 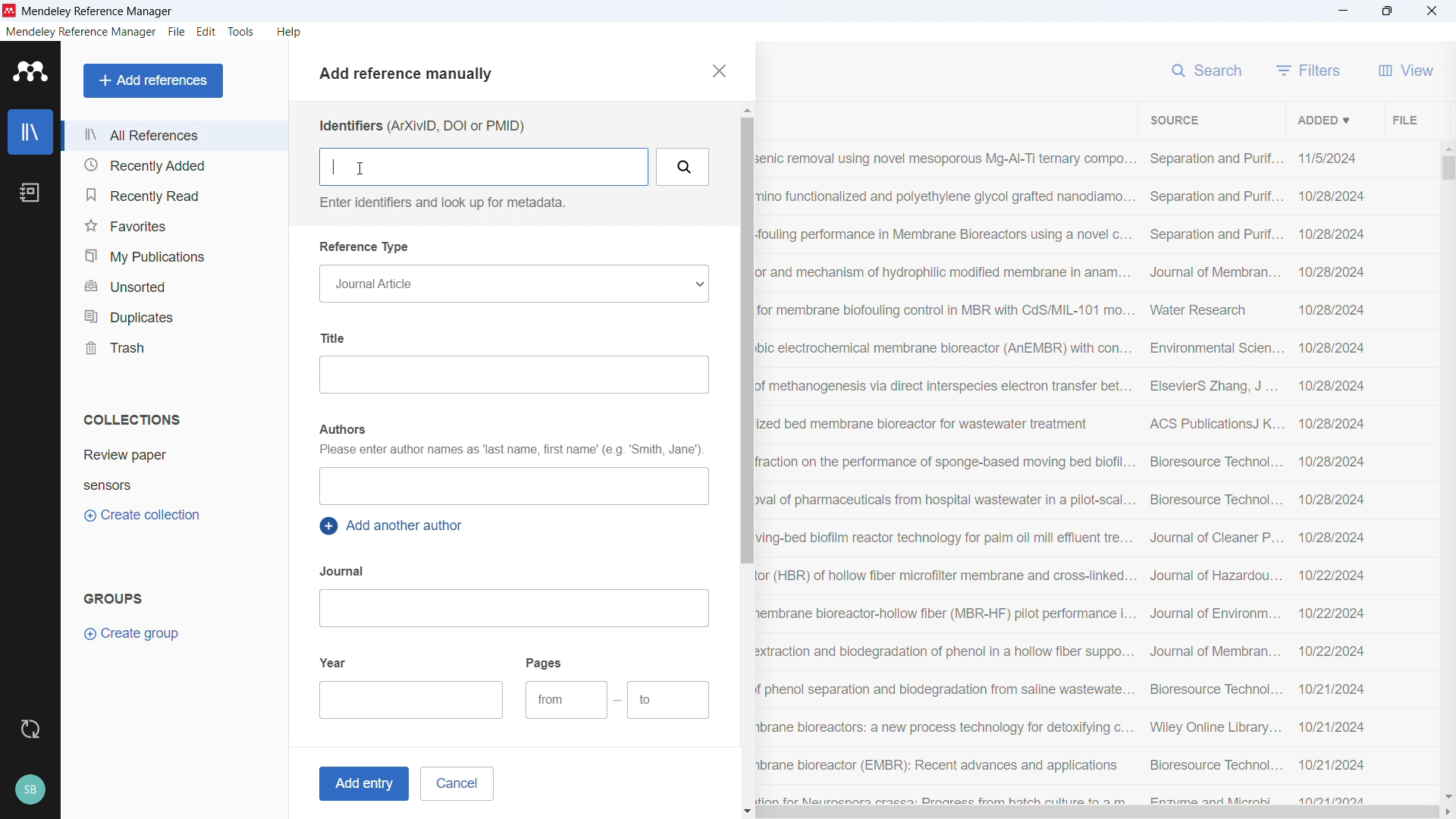 I want to click on Add year of publication , so click(x=413, y=700).